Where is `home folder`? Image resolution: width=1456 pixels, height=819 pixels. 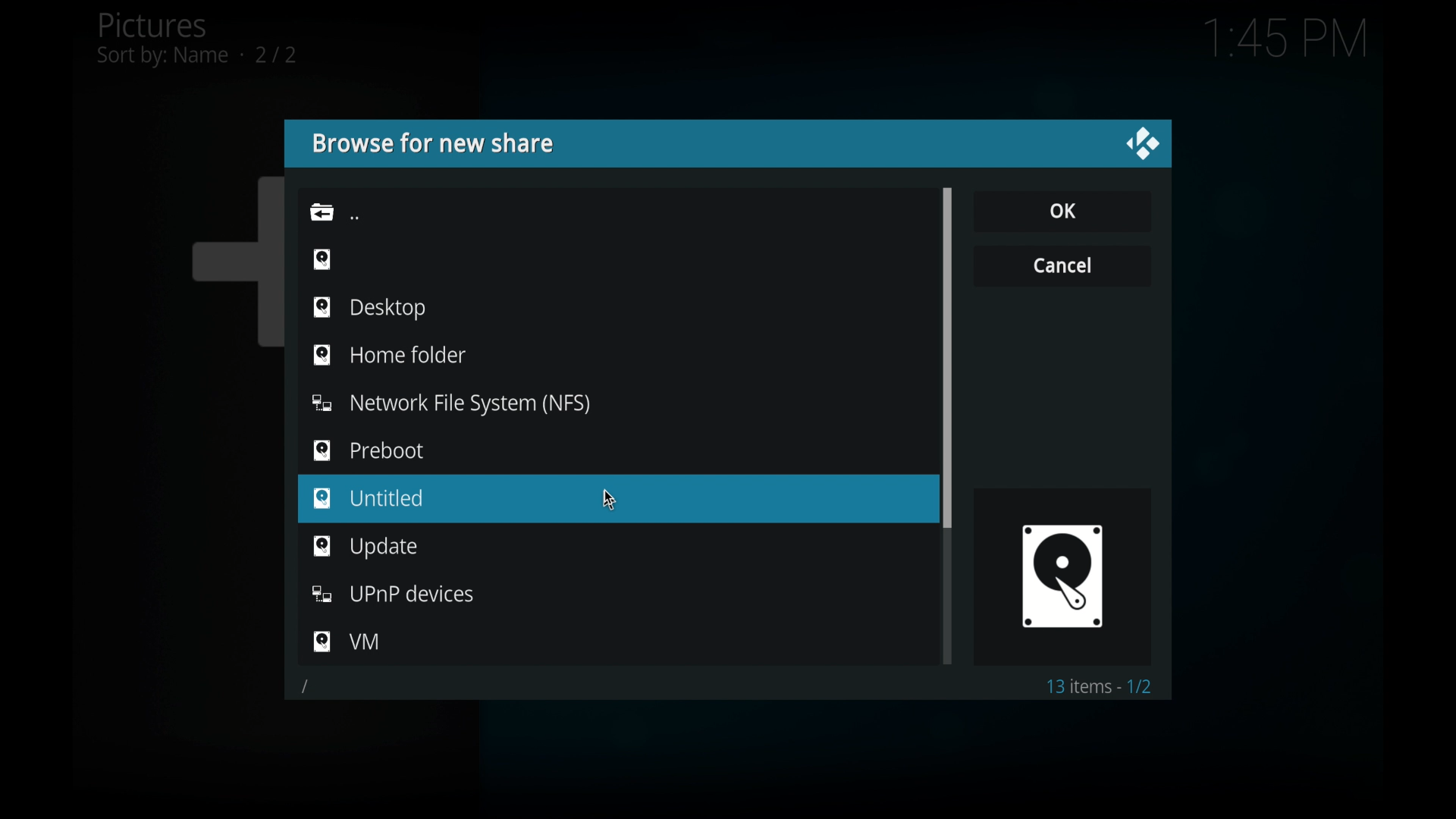 home folder is located at coordinates (391, 354).